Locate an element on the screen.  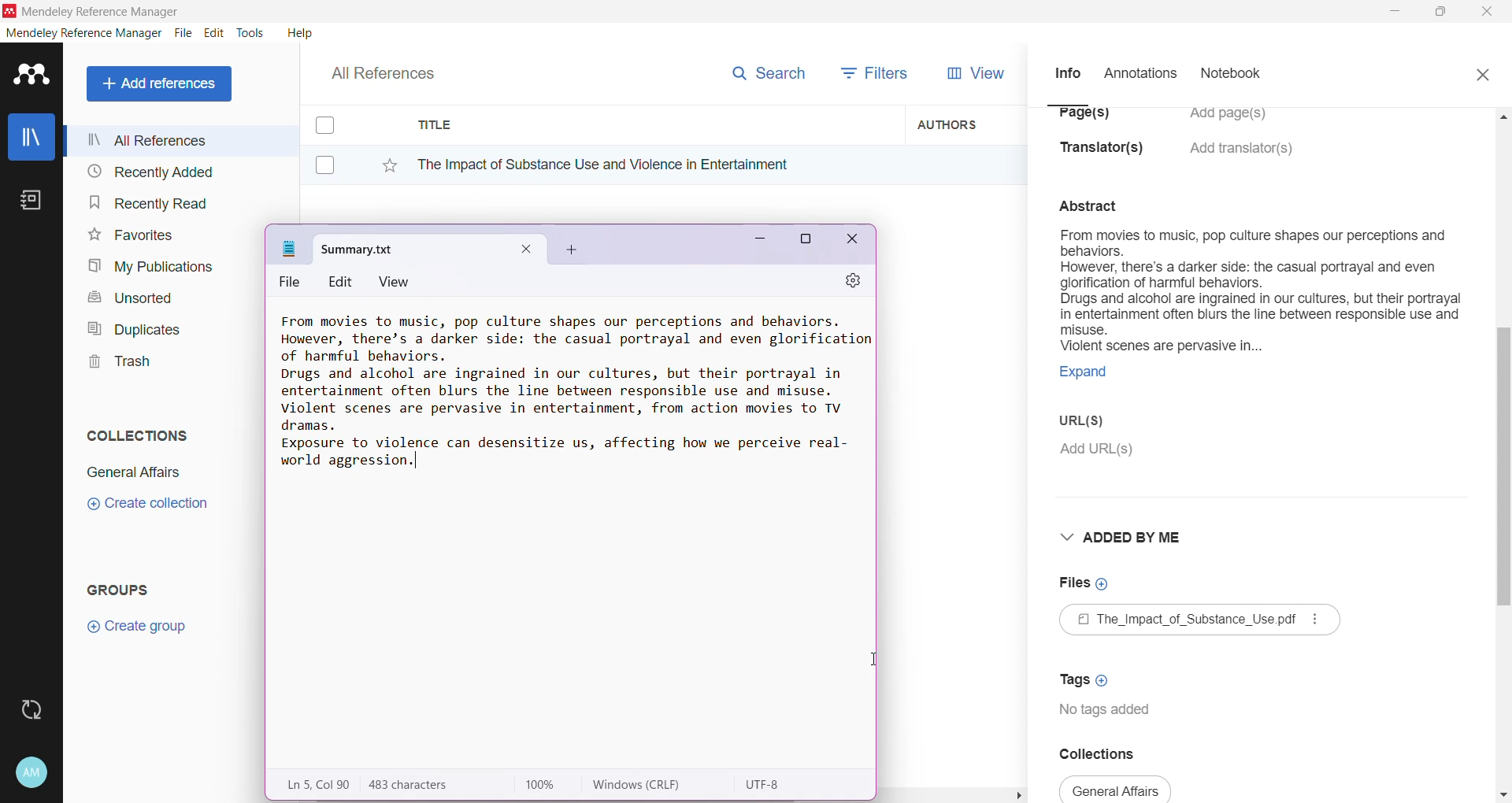
View is located at coordinates (398, 282).